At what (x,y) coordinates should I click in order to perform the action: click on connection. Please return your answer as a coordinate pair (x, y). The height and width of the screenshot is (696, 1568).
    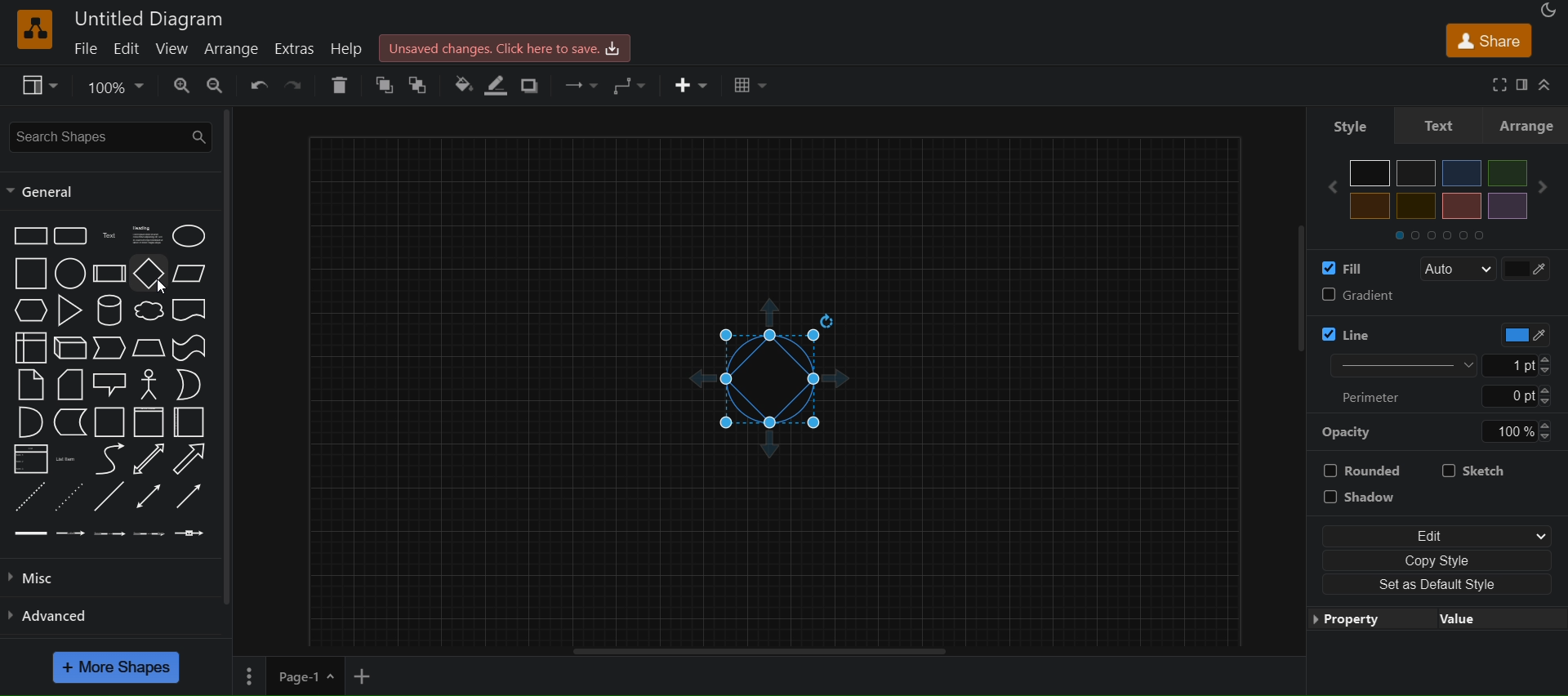
    Looking at the image, I should click on (576, 82).